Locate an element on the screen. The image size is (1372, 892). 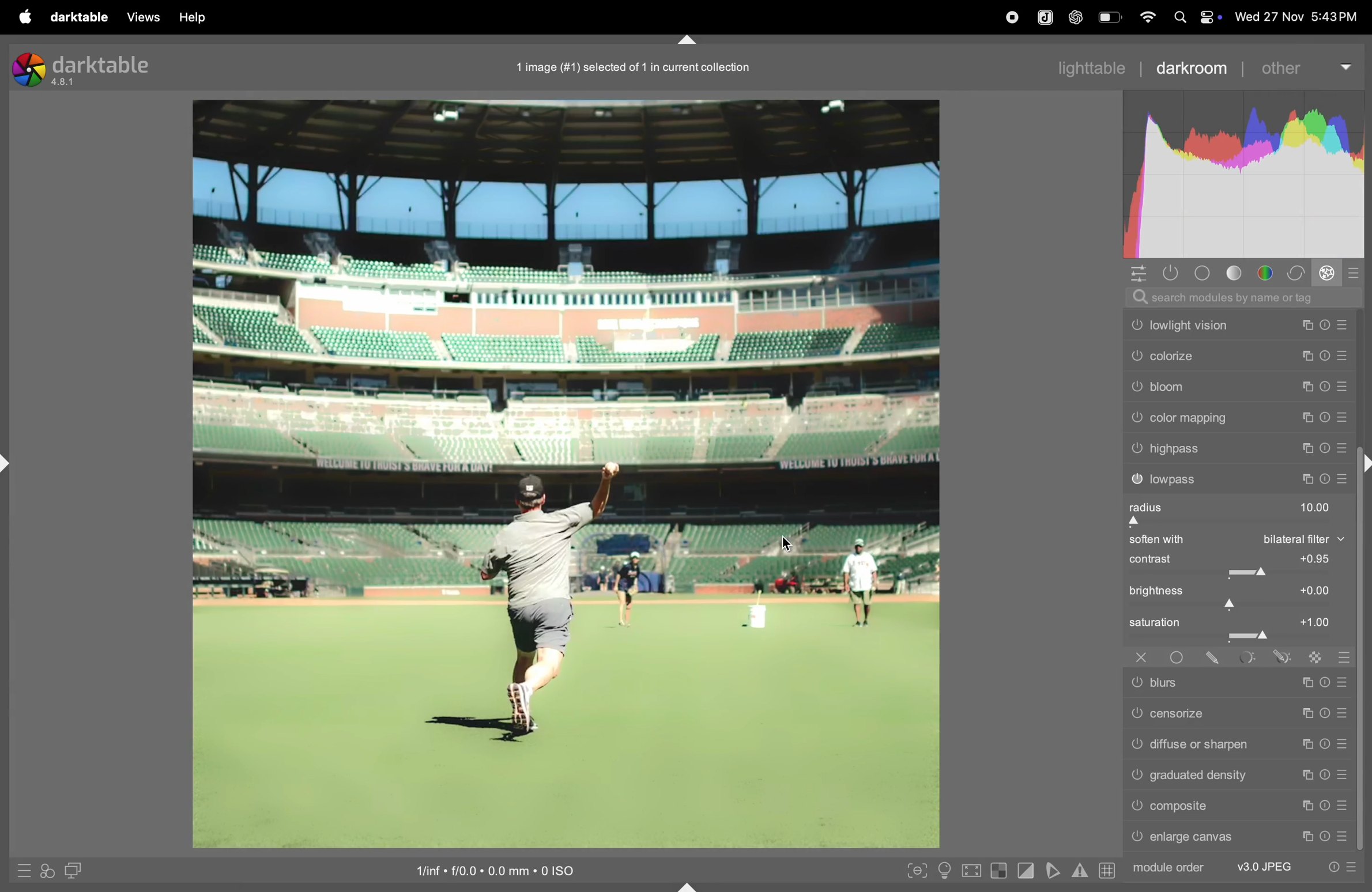
shift+ctrl+t is located at coordinates (688, 40).